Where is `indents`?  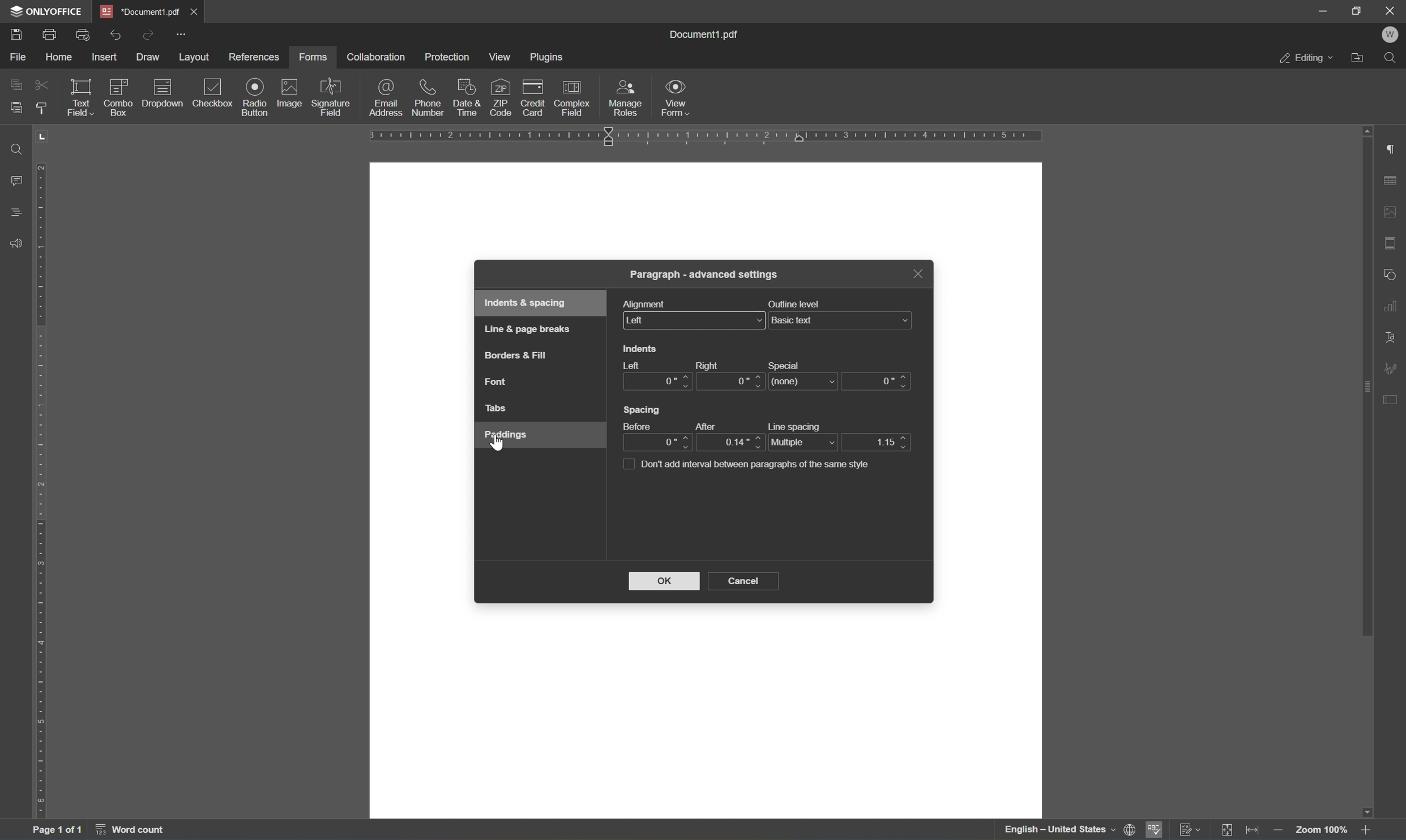 indents is located at coordinates (641, 349).